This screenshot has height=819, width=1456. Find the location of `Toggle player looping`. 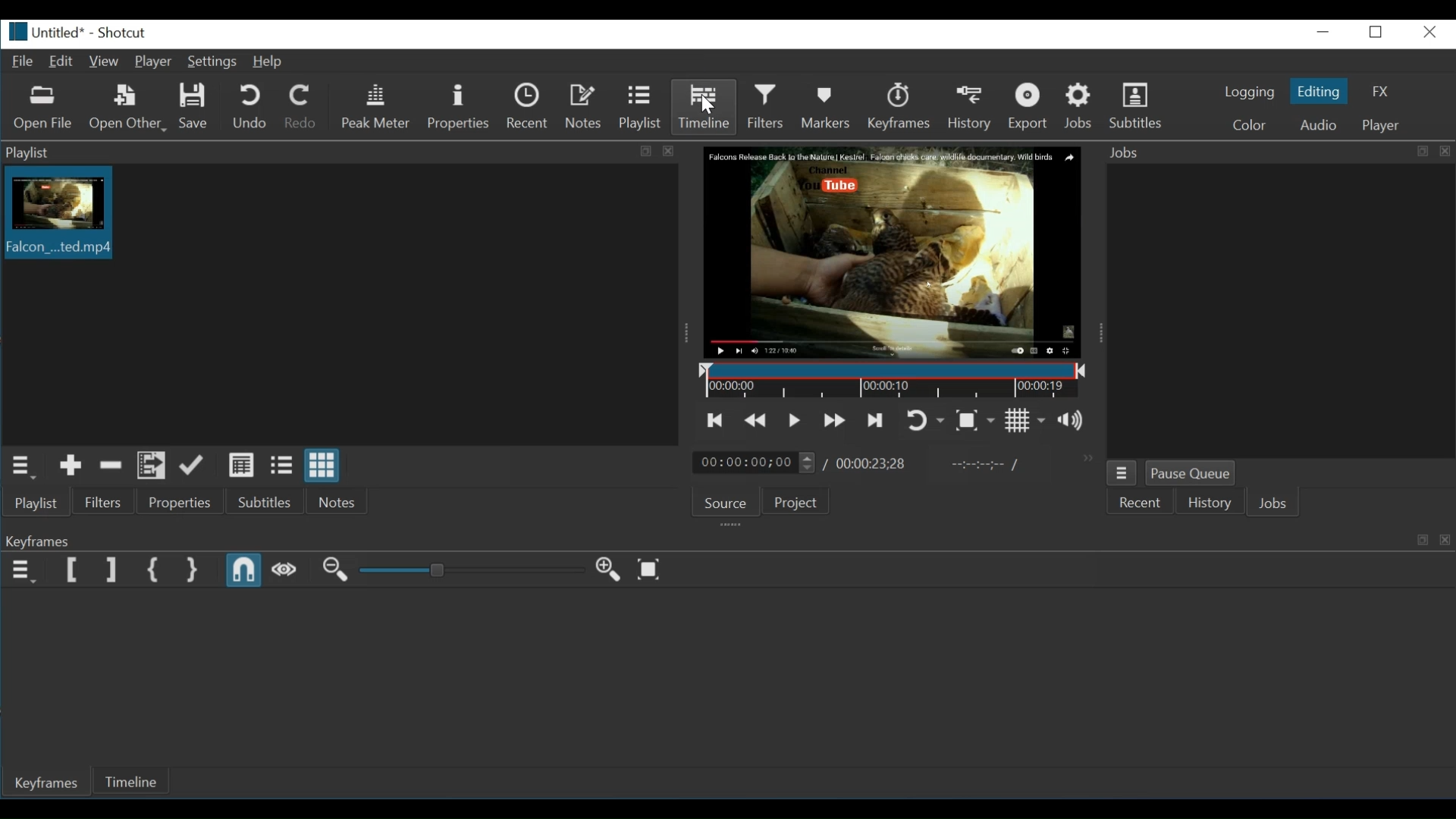

Toggle player looping is located at coordinates (926, 421).